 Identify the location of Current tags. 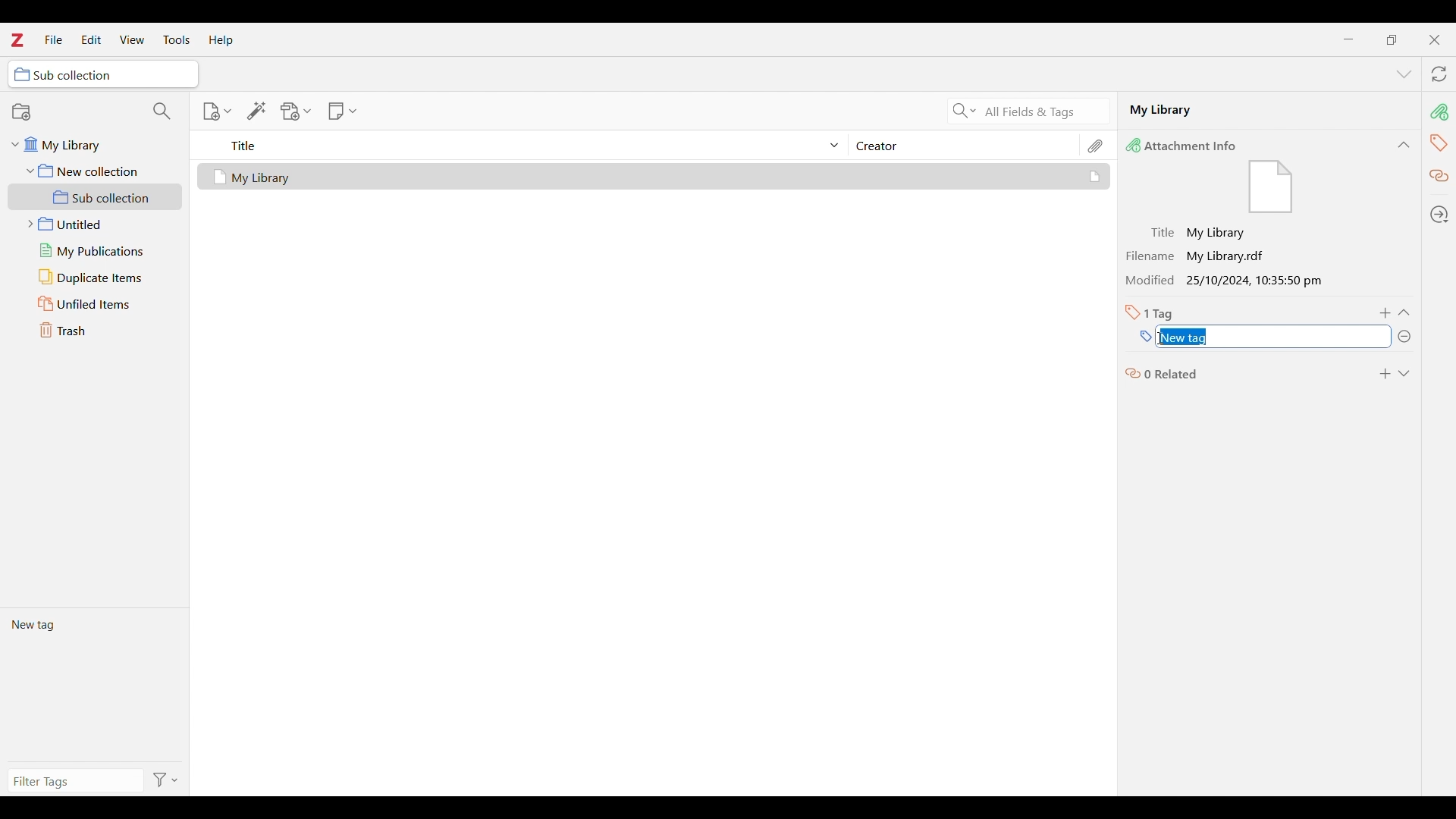
(94, 684).